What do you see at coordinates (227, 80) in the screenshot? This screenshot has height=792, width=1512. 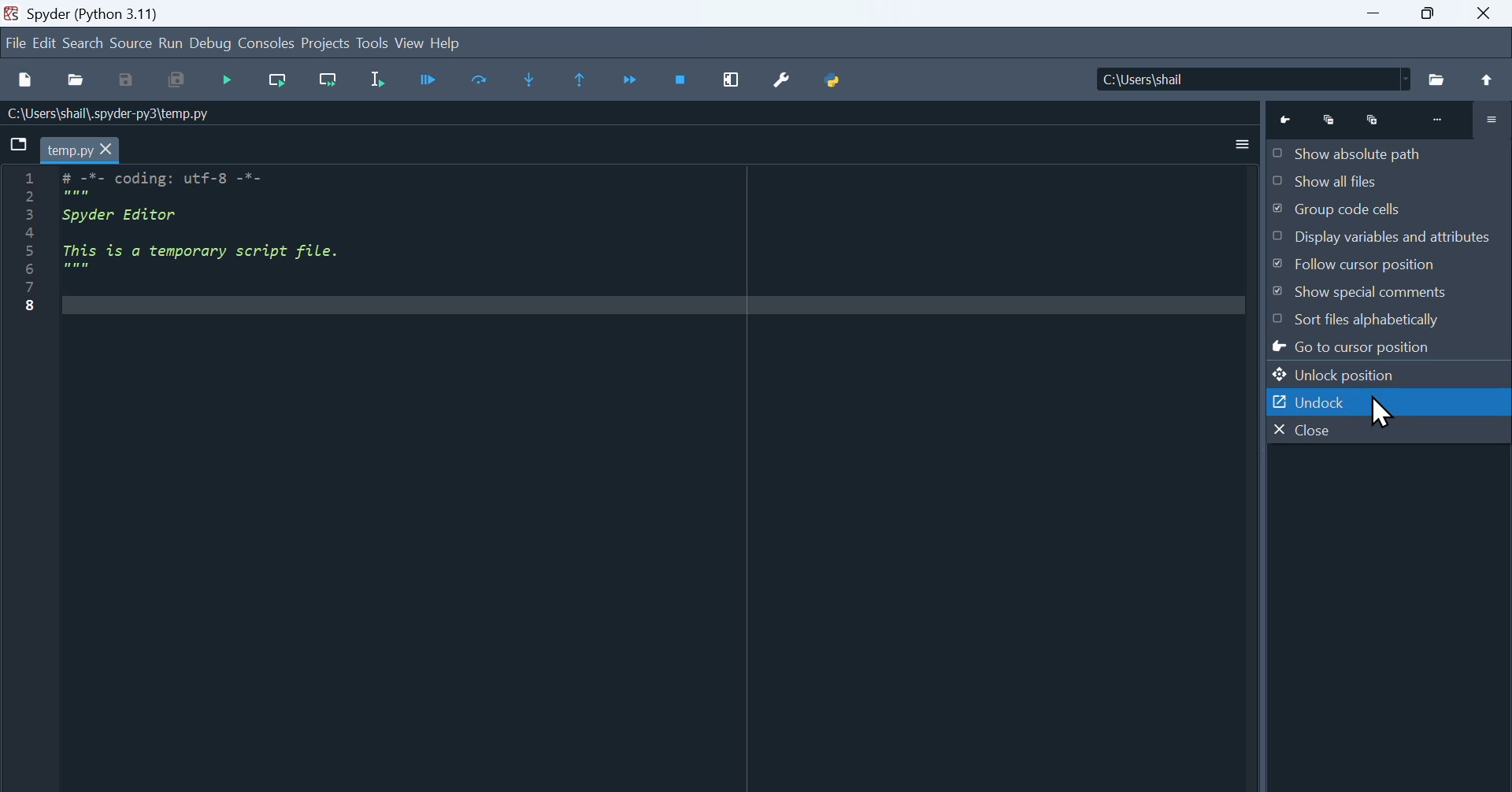 I see `Start debugging` at bounding box center [227, 80].